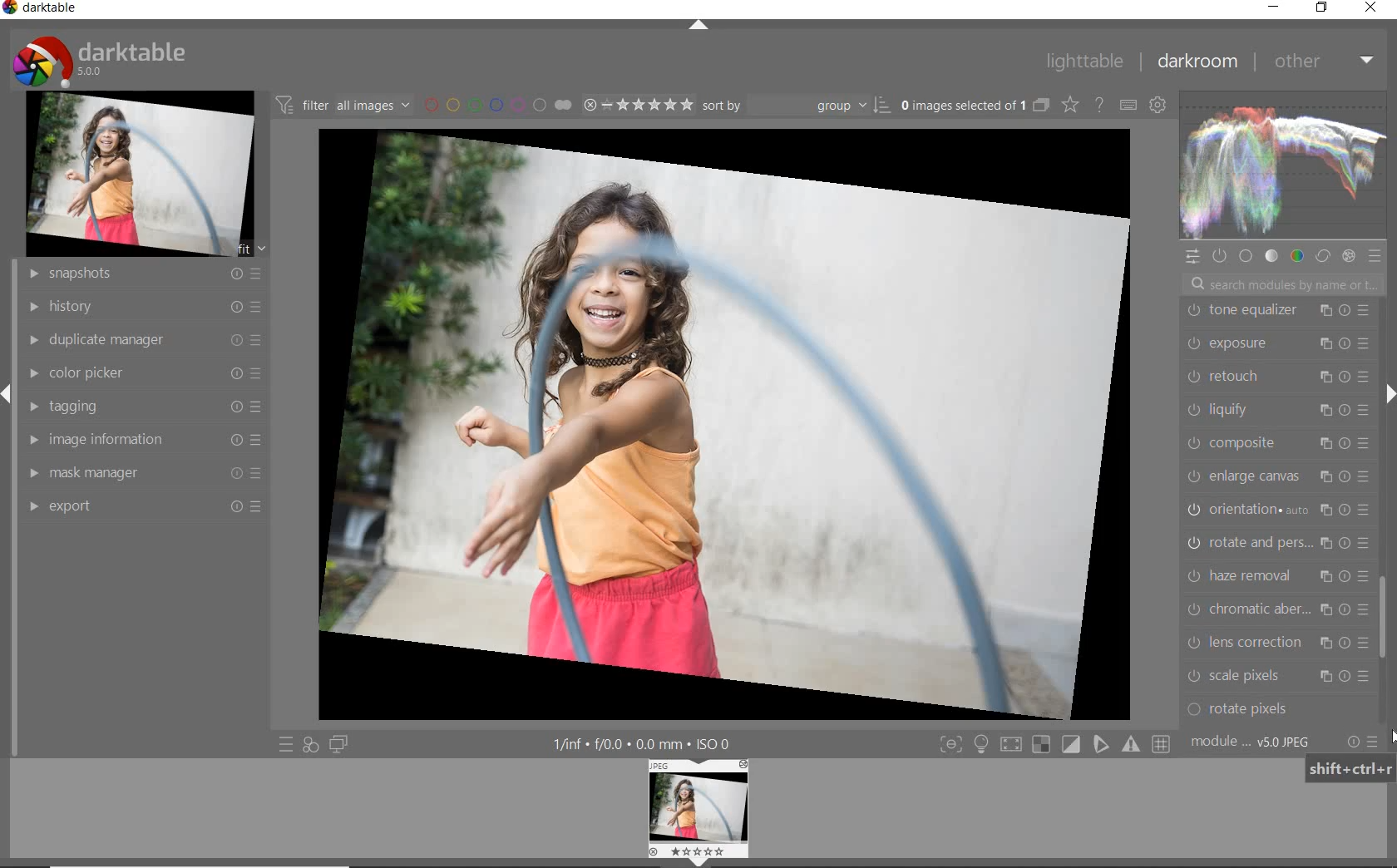  What do you see at coordinates (142, 372) in the screenshot?
I see `color picker` at bounding box center [142, 372].